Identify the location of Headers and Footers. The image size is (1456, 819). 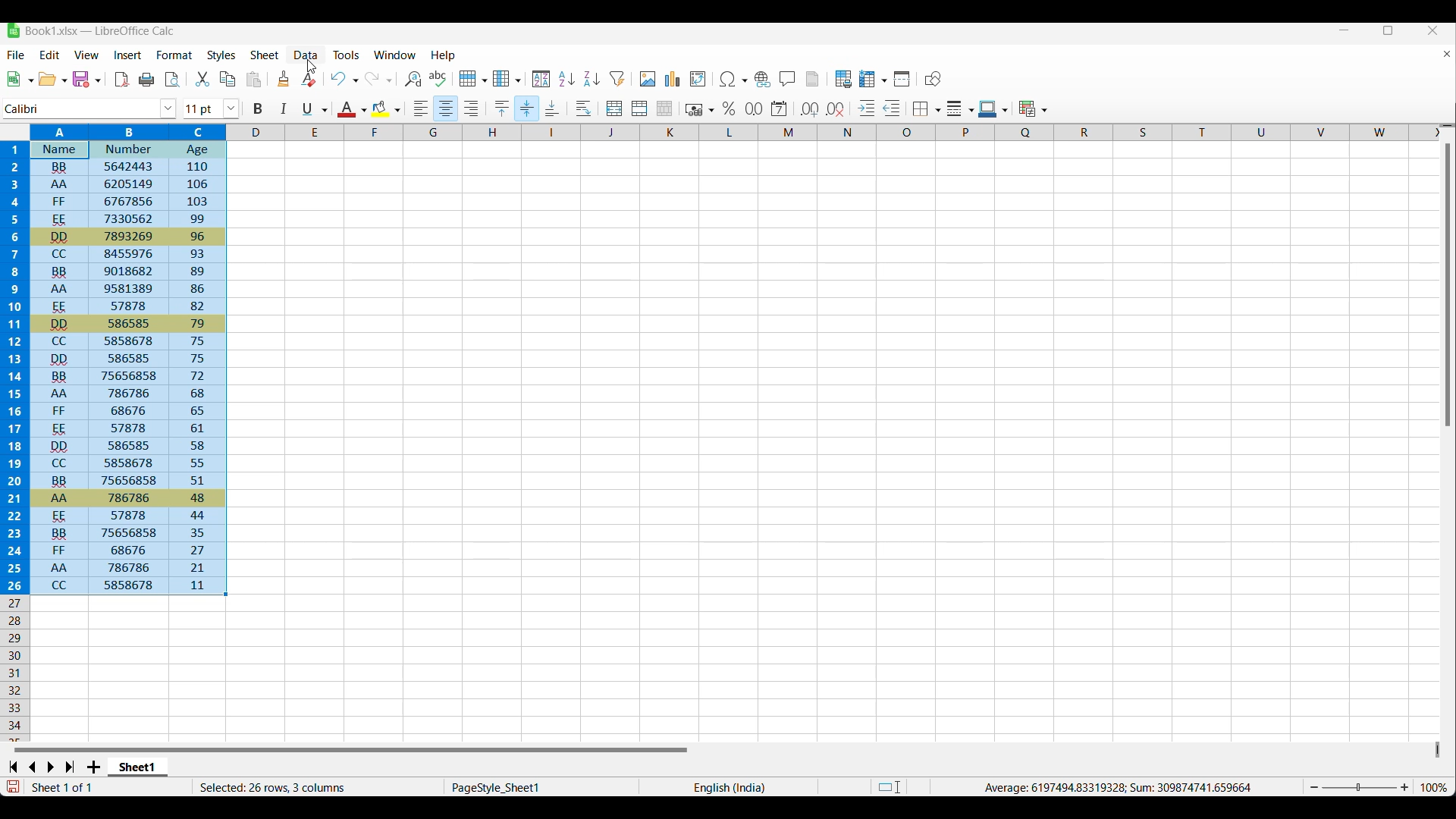
(813, 79).